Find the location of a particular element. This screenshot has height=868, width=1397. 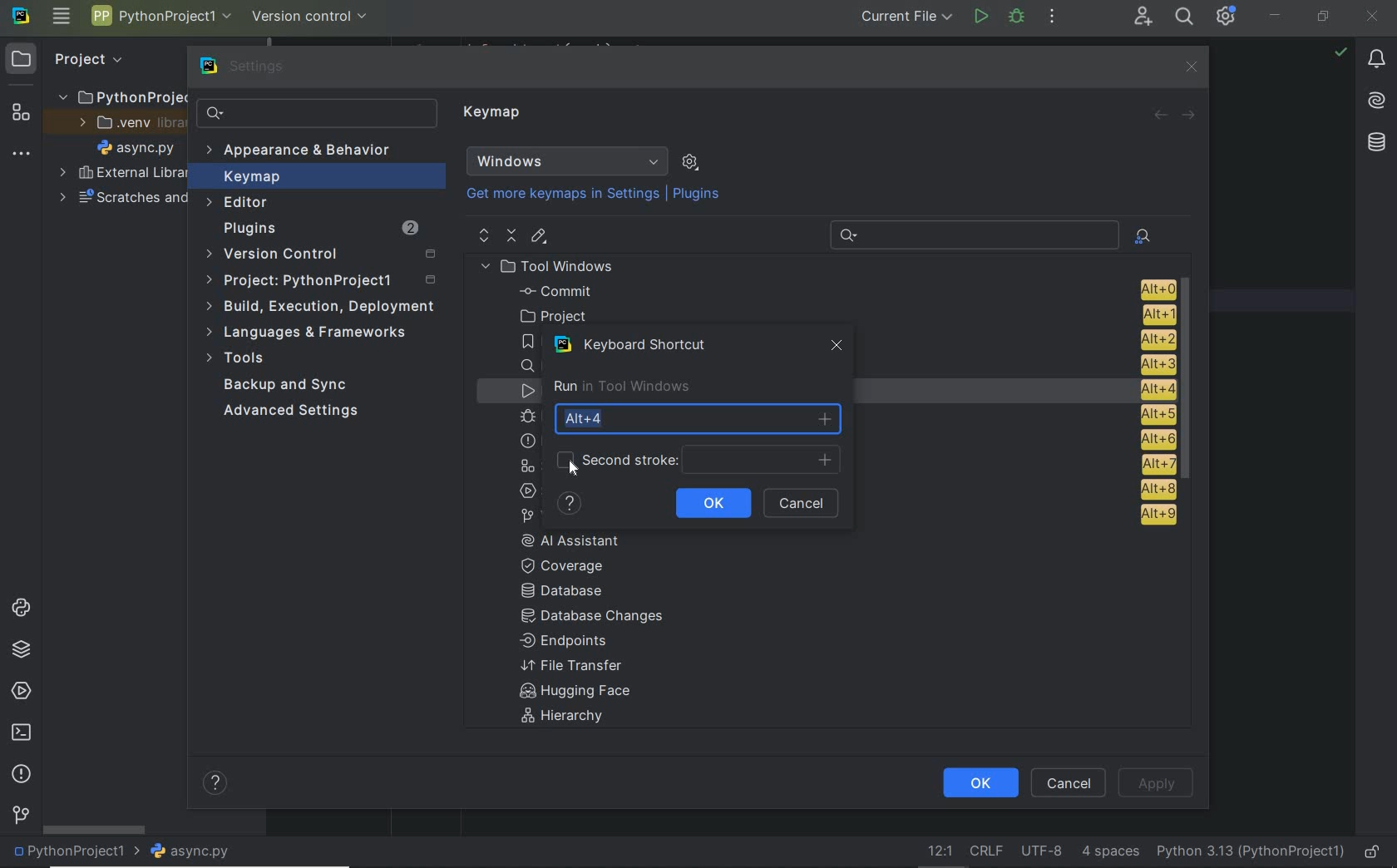

python packages is located at coordinates (20, 650).